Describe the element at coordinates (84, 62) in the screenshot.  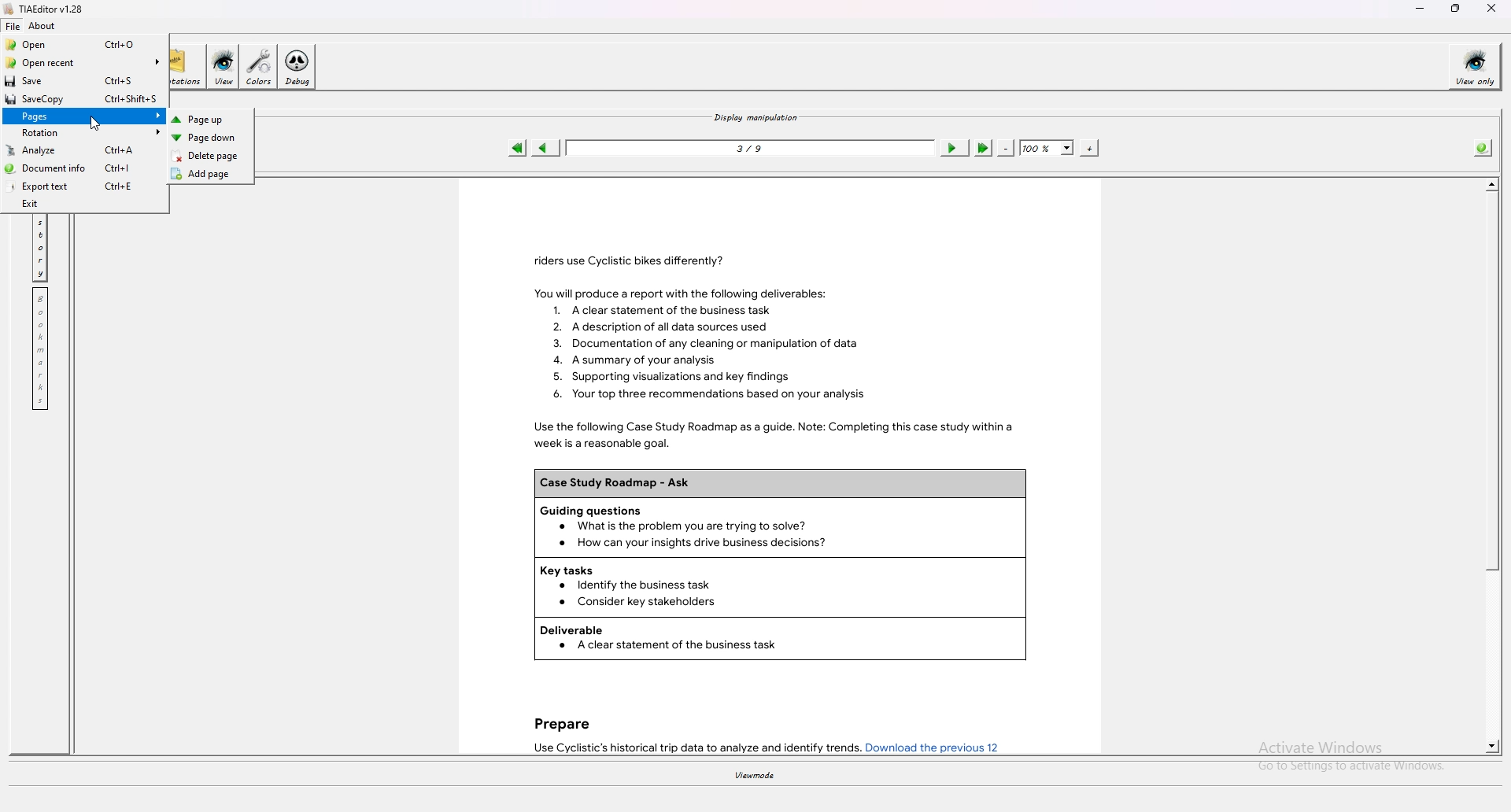
I see `Open recent ` at that location.